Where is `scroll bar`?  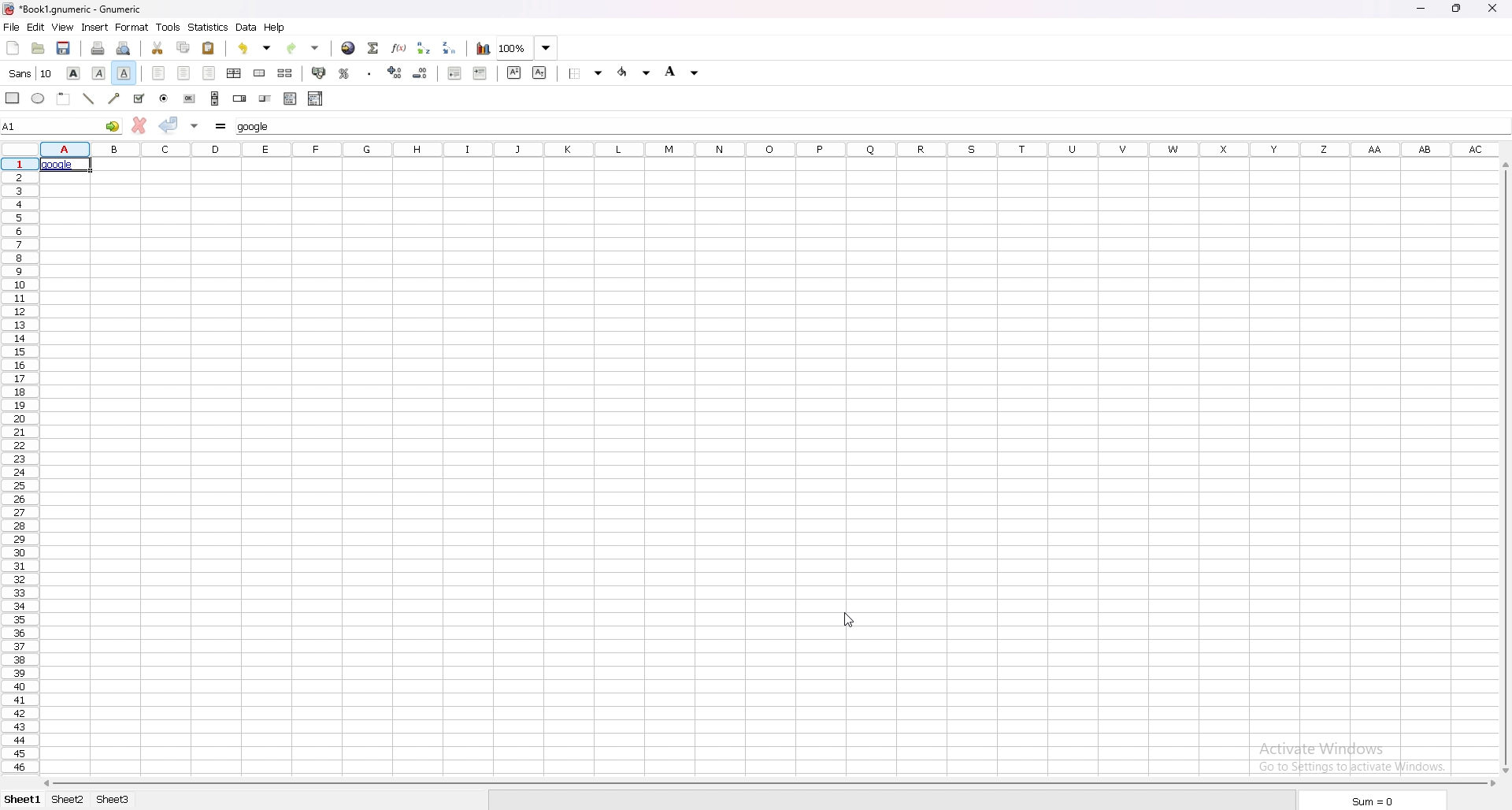
scroll bar is located at coordinates (768, 783).